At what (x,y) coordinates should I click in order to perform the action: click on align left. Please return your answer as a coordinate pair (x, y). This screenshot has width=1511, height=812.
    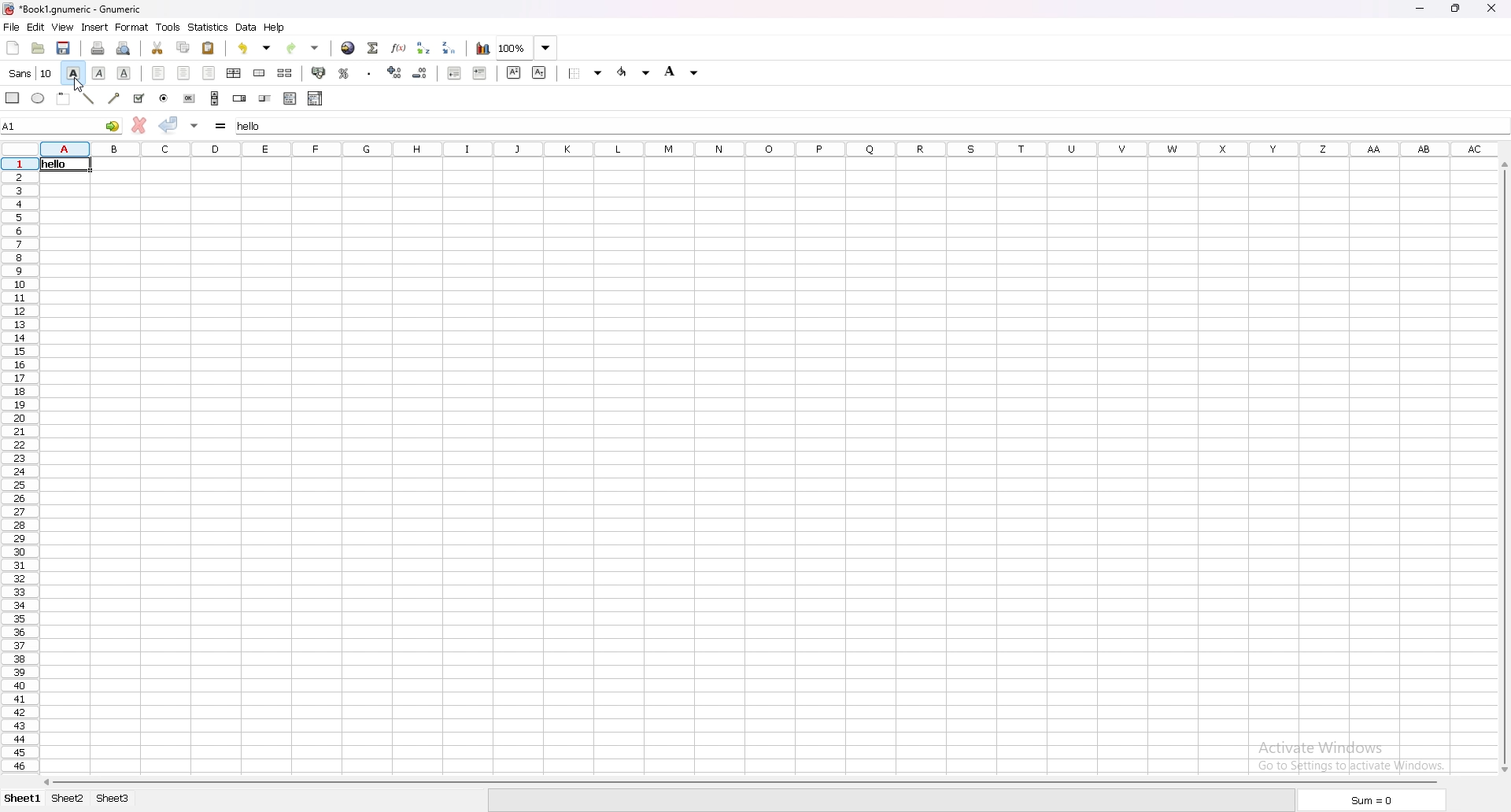
    Looking at the image, I should click on (157, 73).